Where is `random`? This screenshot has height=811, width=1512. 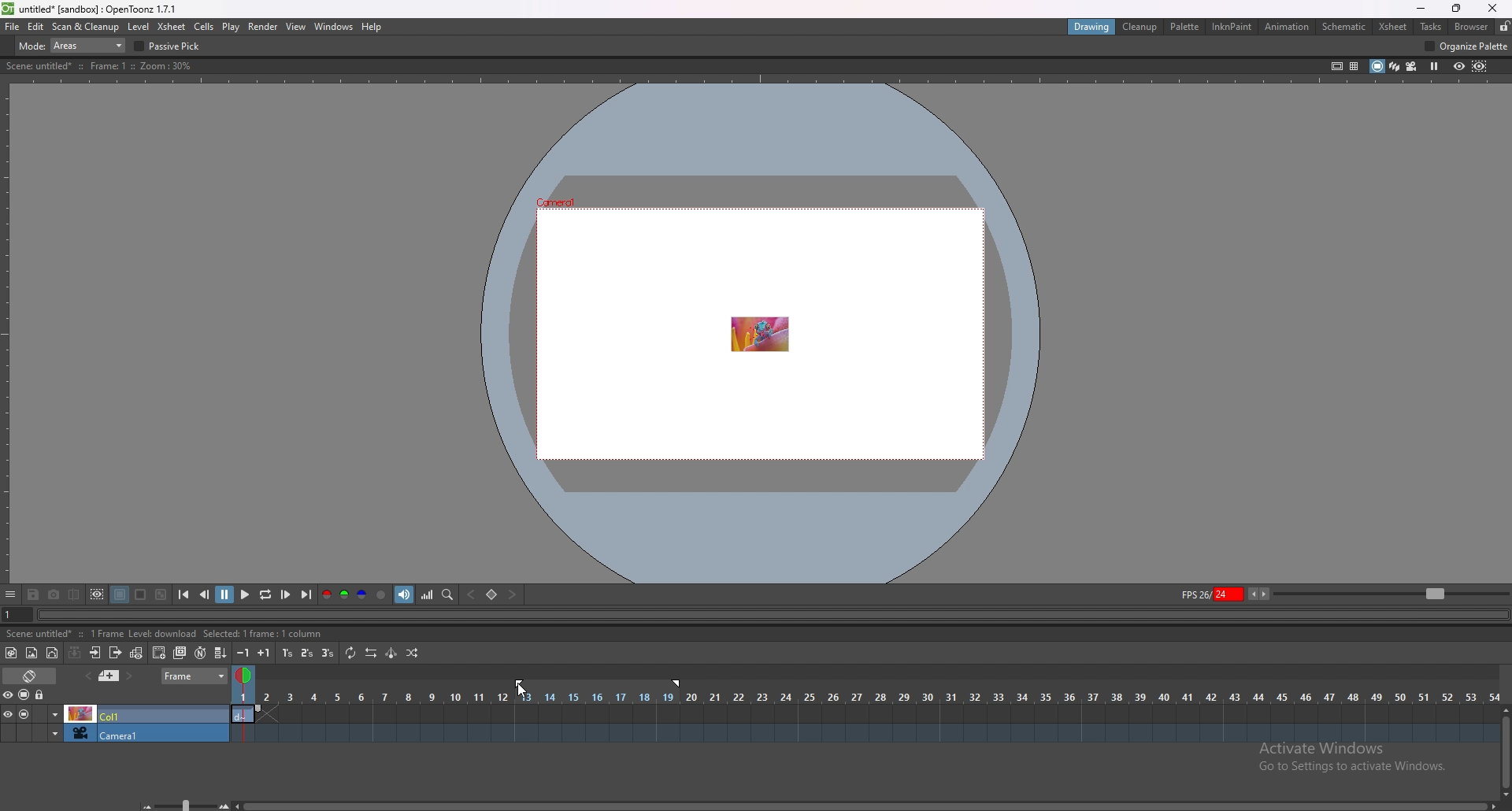
random is located at coordinates (412, 654).